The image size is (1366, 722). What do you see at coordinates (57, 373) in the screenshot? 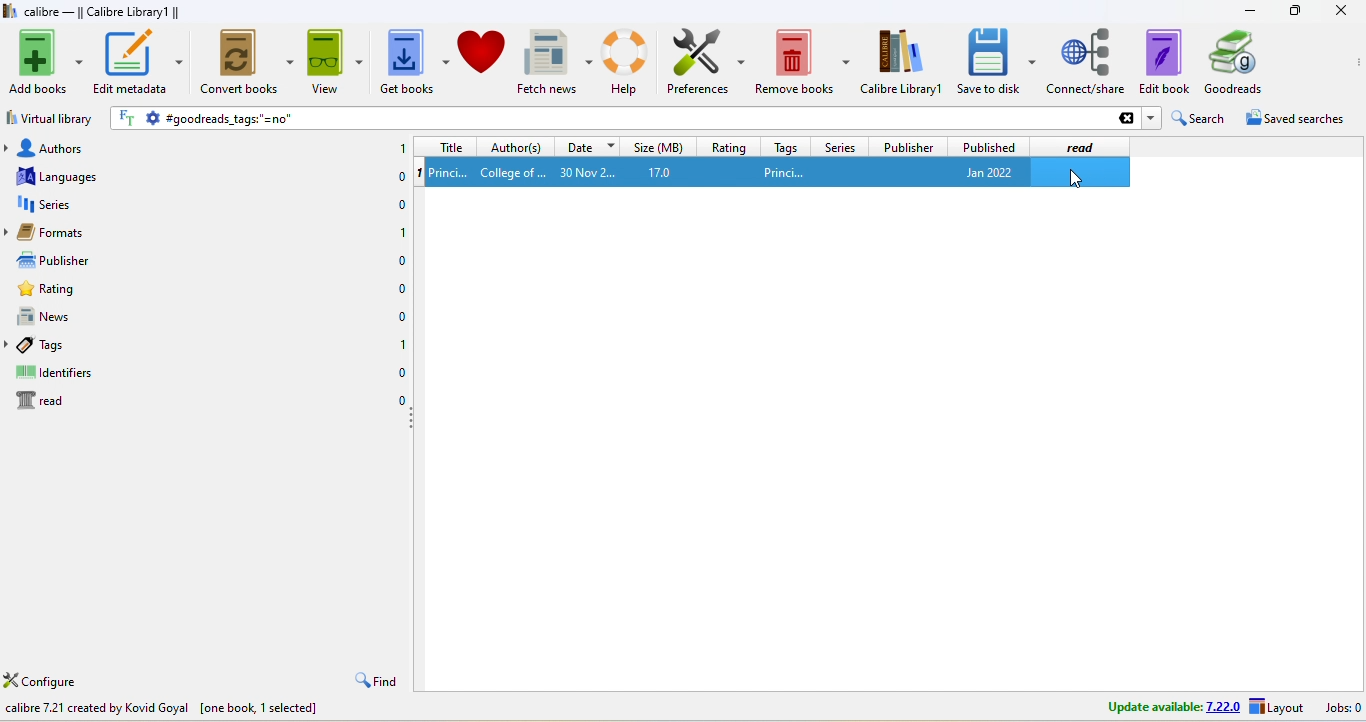
I see `identifiers` at bounding box center [57, 373].